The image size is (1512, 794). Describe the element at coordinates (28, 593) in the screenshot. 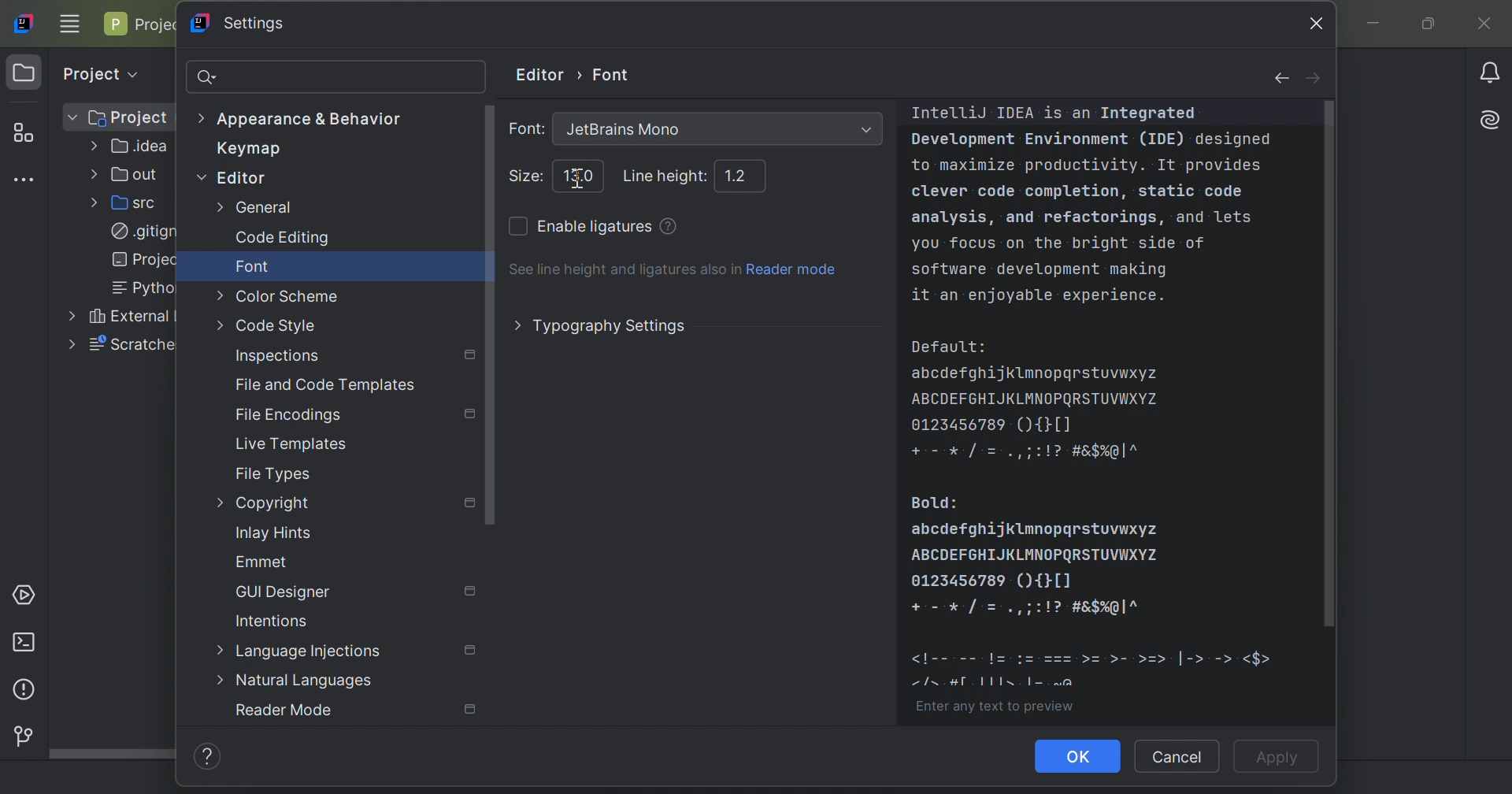

I see `Services` at that location.